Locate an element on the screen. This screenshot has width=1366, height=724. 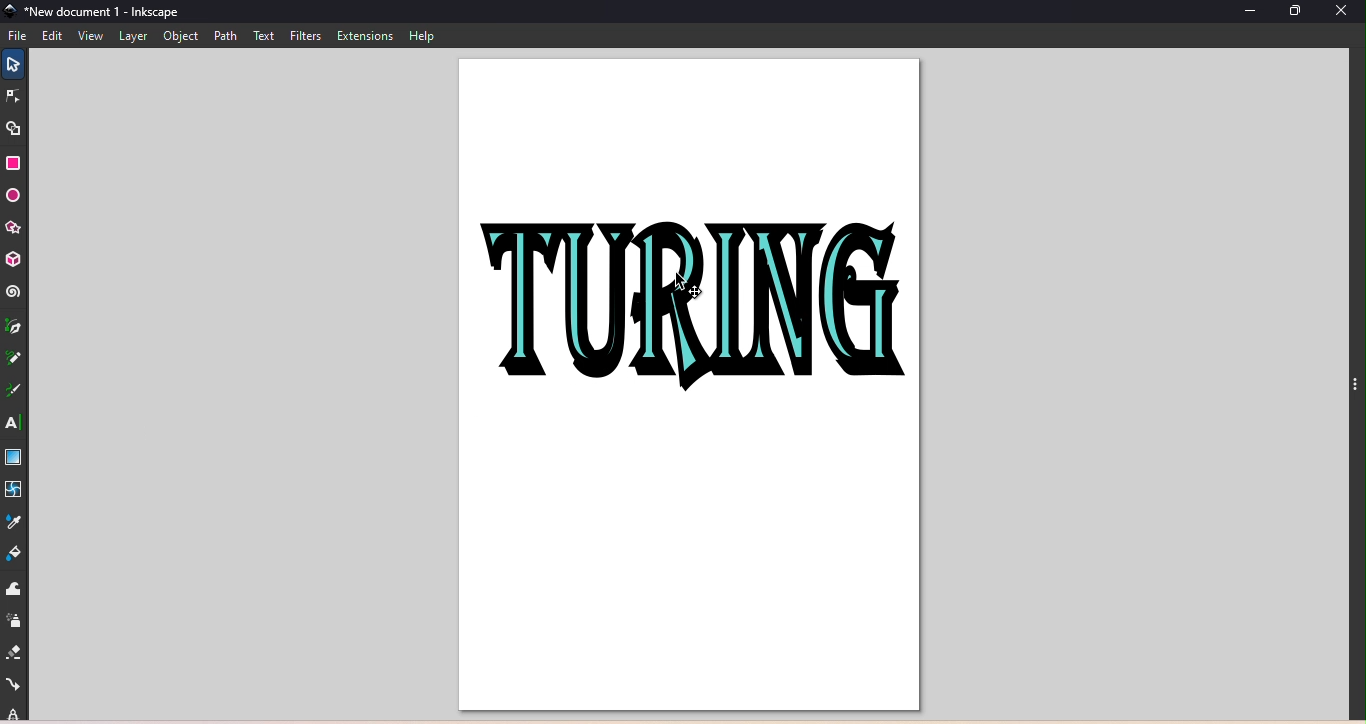
Spray tool is located at coordinates (14, 621).